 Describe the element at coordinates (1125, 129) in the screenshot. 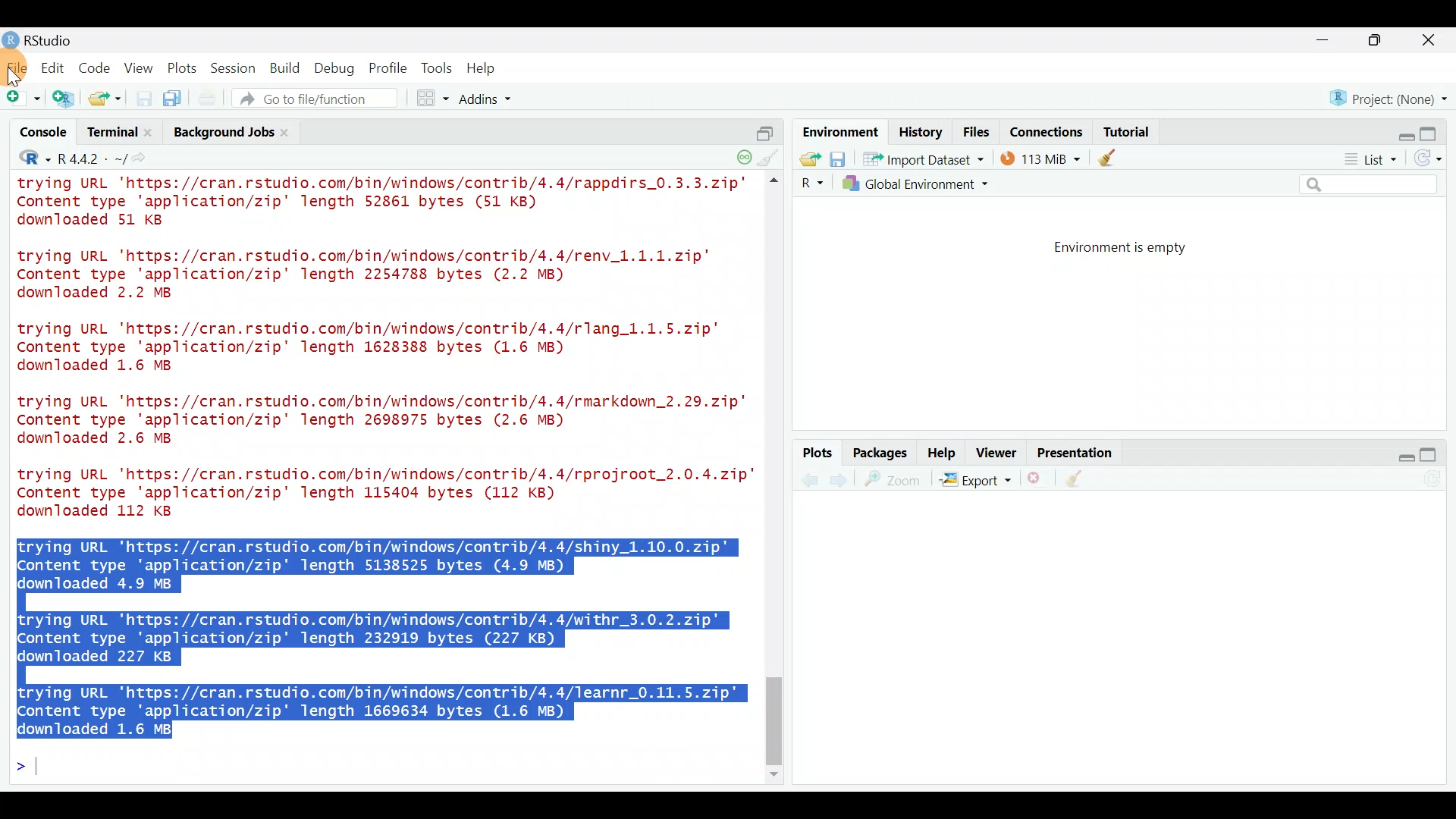

I see `Tutorial` at that location.